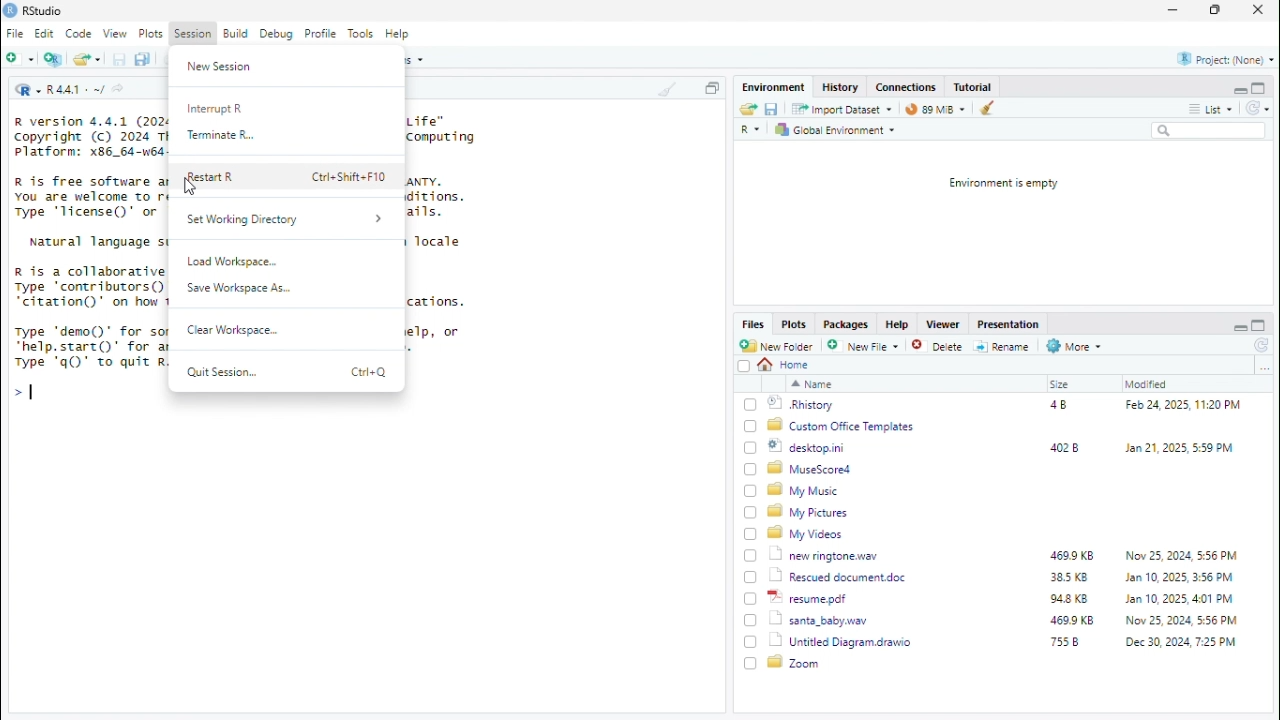 Image resolution: width=1280 pixels, height=720 pixels. What do you see at coordinates (1003, 184) in the screenshot?
I see `Environment is empty` at bounding box center [1003, 184].